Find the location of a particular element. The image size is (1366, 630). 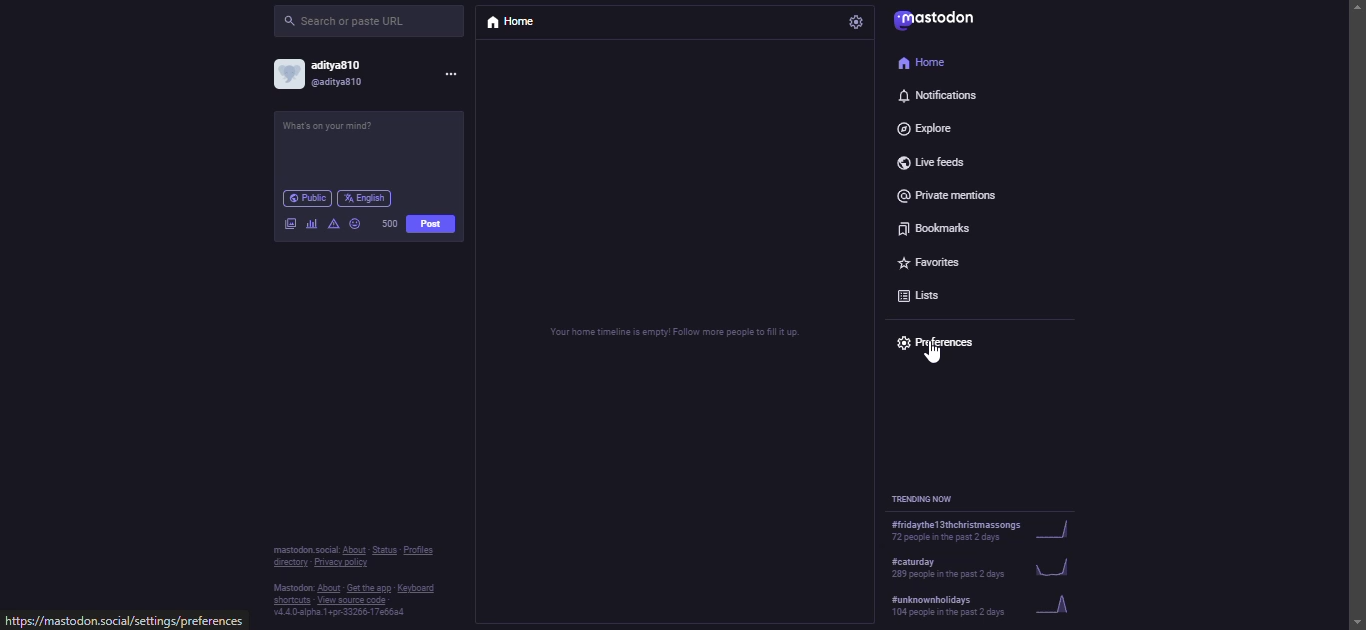

bookmarks is located at coordinates (933, 225).